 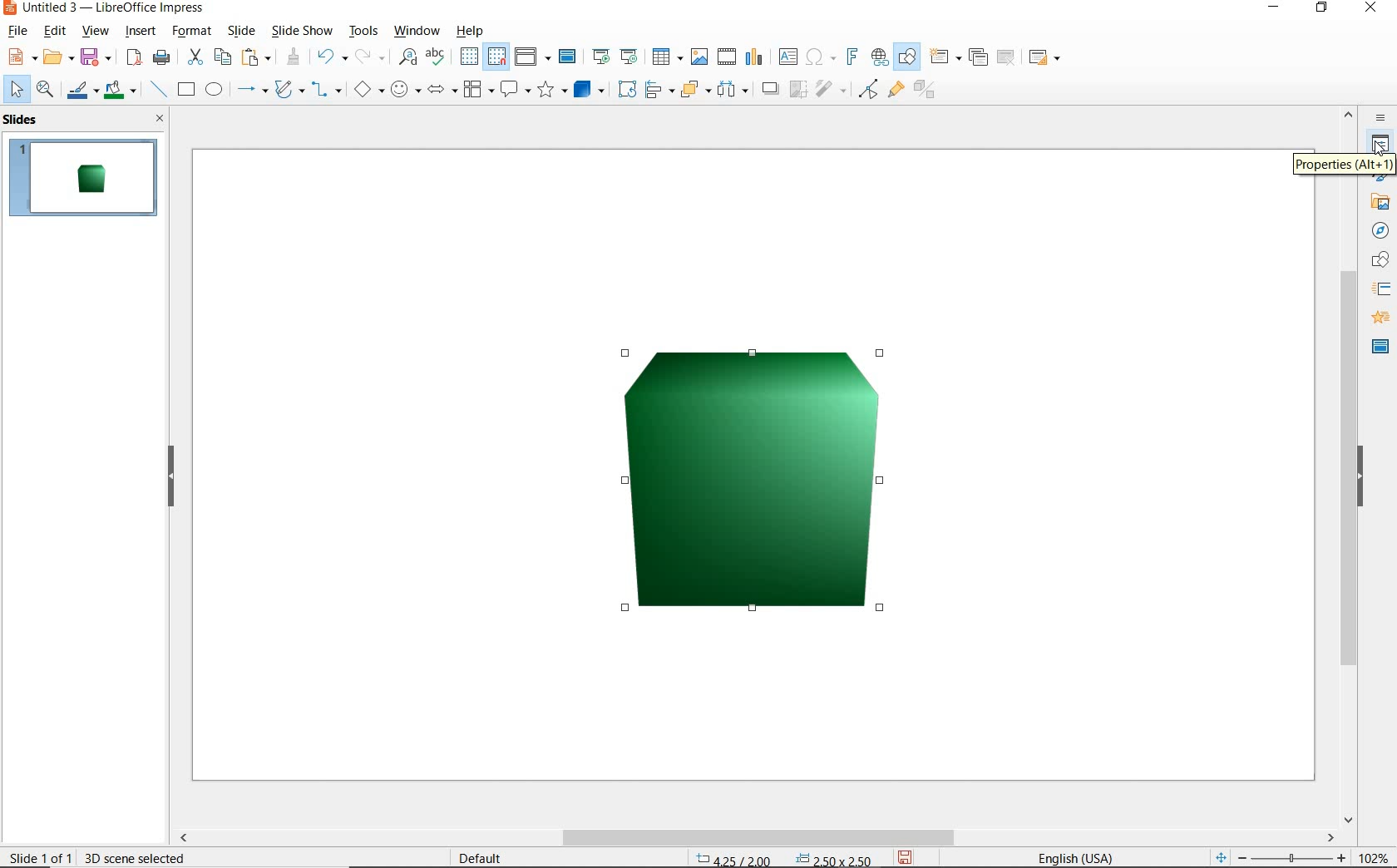 What do you see at coordinates (666, 55) in the screenshot?
I see `table` at bounding box center [666, 55].